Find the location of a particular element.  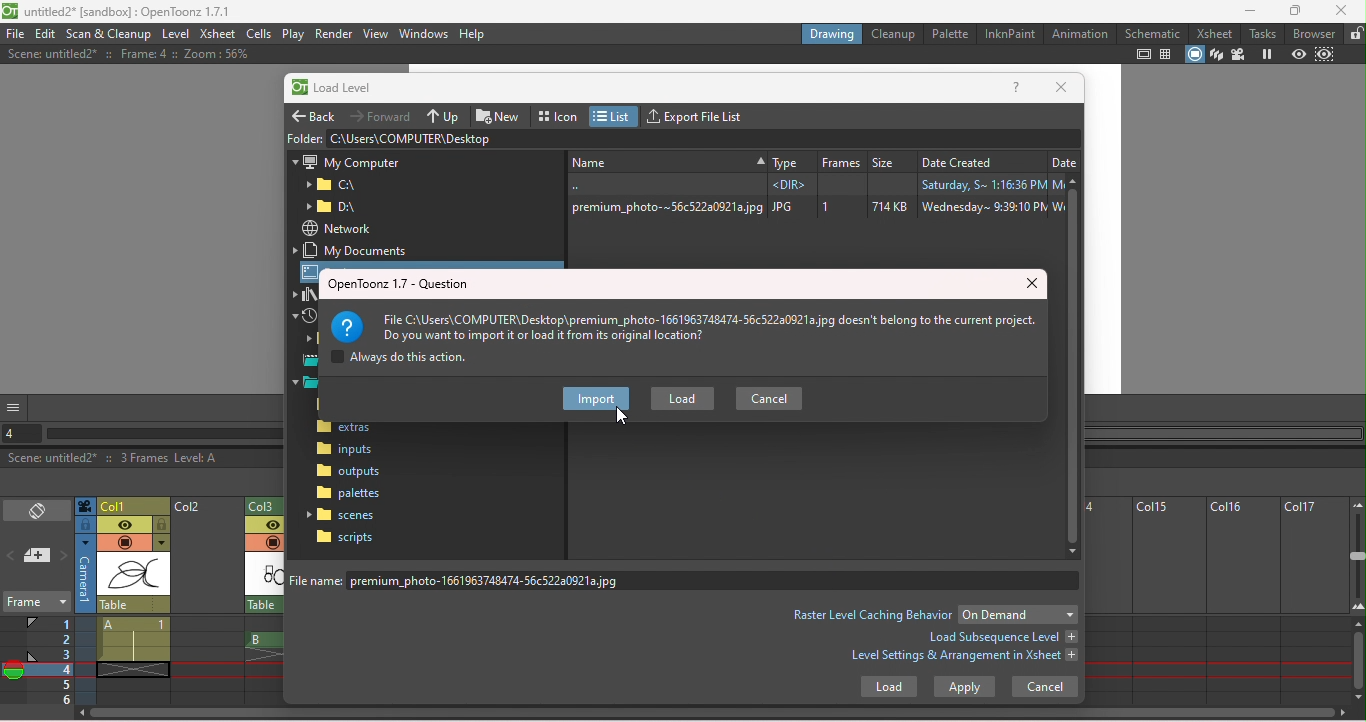

click to select camera is located at coordinates (85, 525).